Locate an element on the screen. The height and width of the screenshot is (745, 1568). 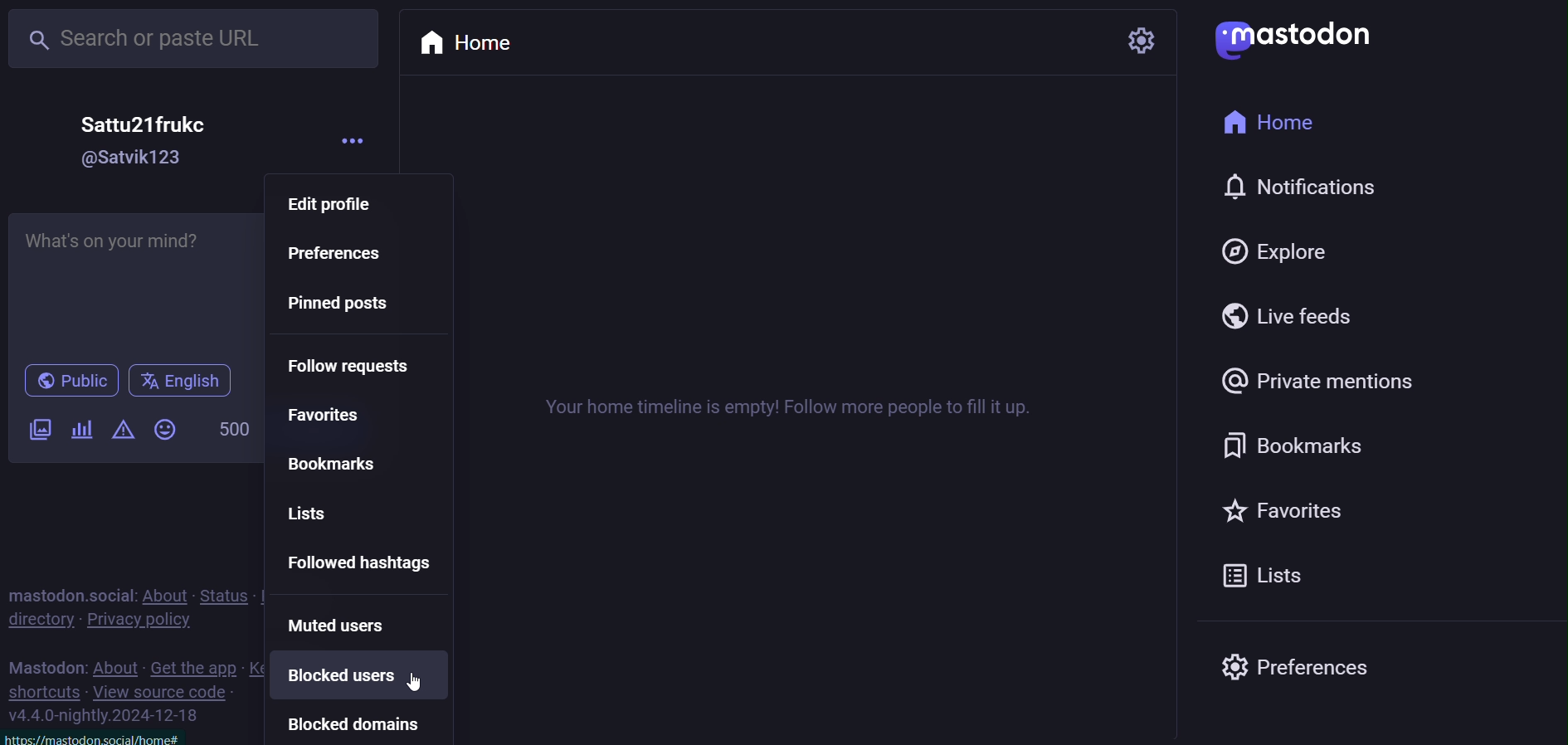
favorites is located at coordinates (339, 415).